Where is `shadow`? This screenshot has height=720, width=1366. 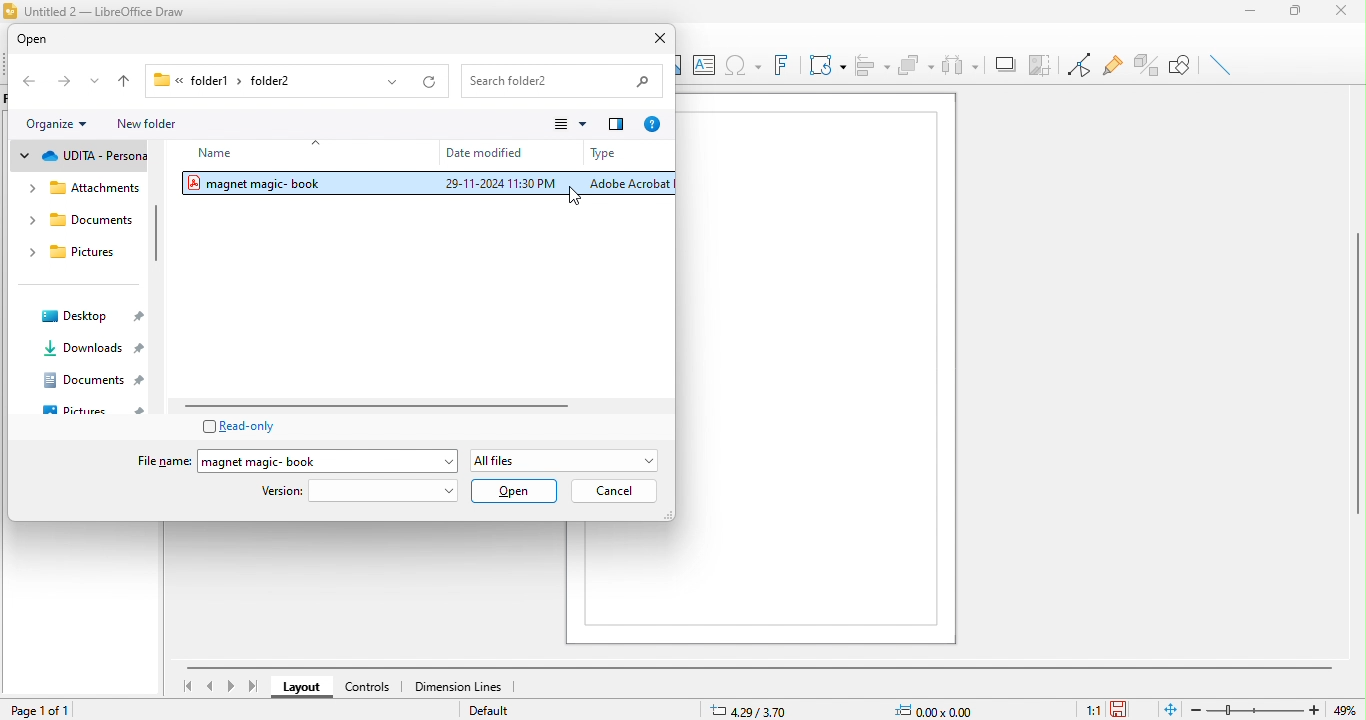
shadow is located at coordinates (1003, 63).